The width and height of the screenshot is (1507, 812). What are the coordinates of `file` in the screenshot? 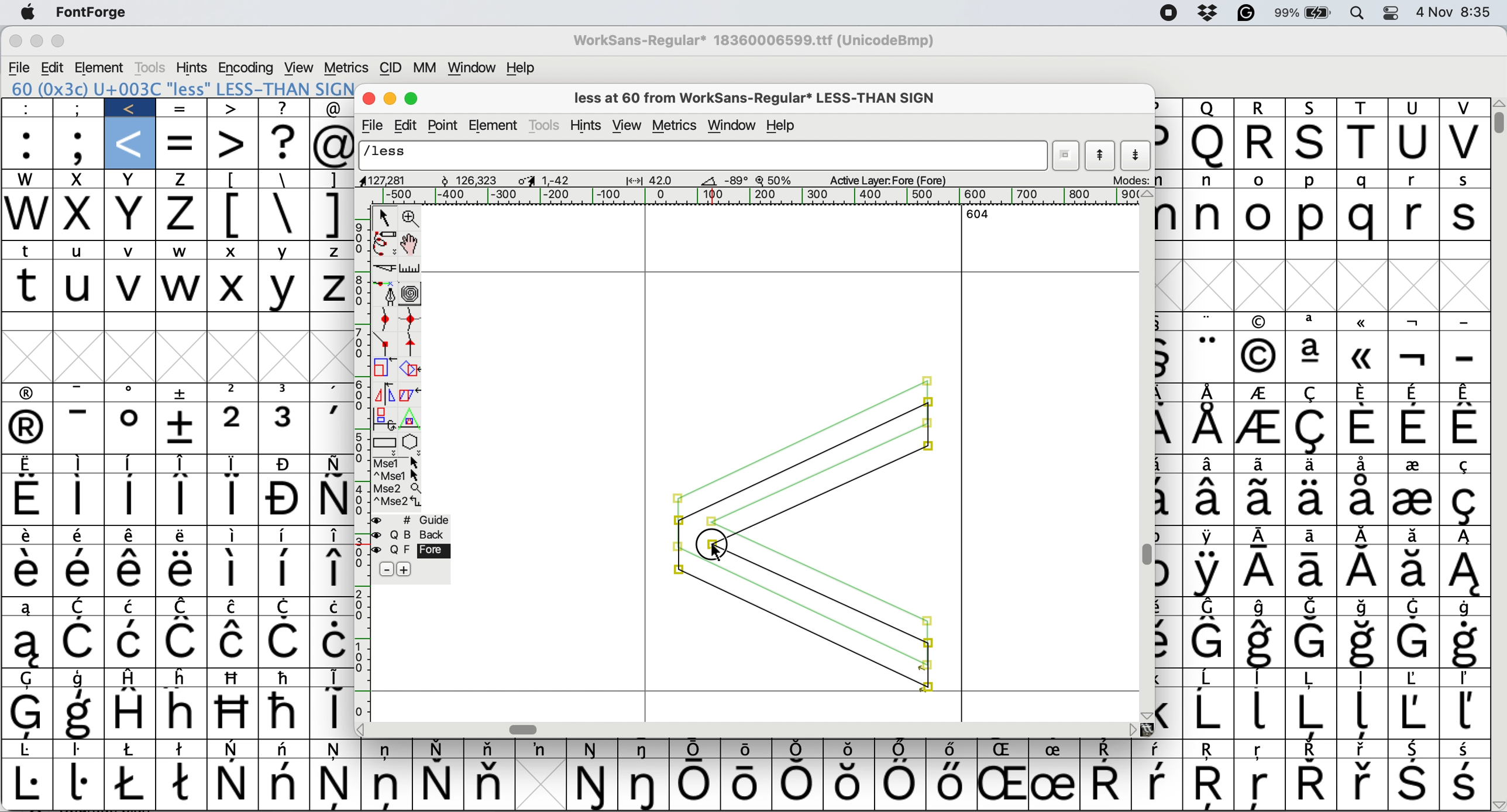 It's located at (374, 124).